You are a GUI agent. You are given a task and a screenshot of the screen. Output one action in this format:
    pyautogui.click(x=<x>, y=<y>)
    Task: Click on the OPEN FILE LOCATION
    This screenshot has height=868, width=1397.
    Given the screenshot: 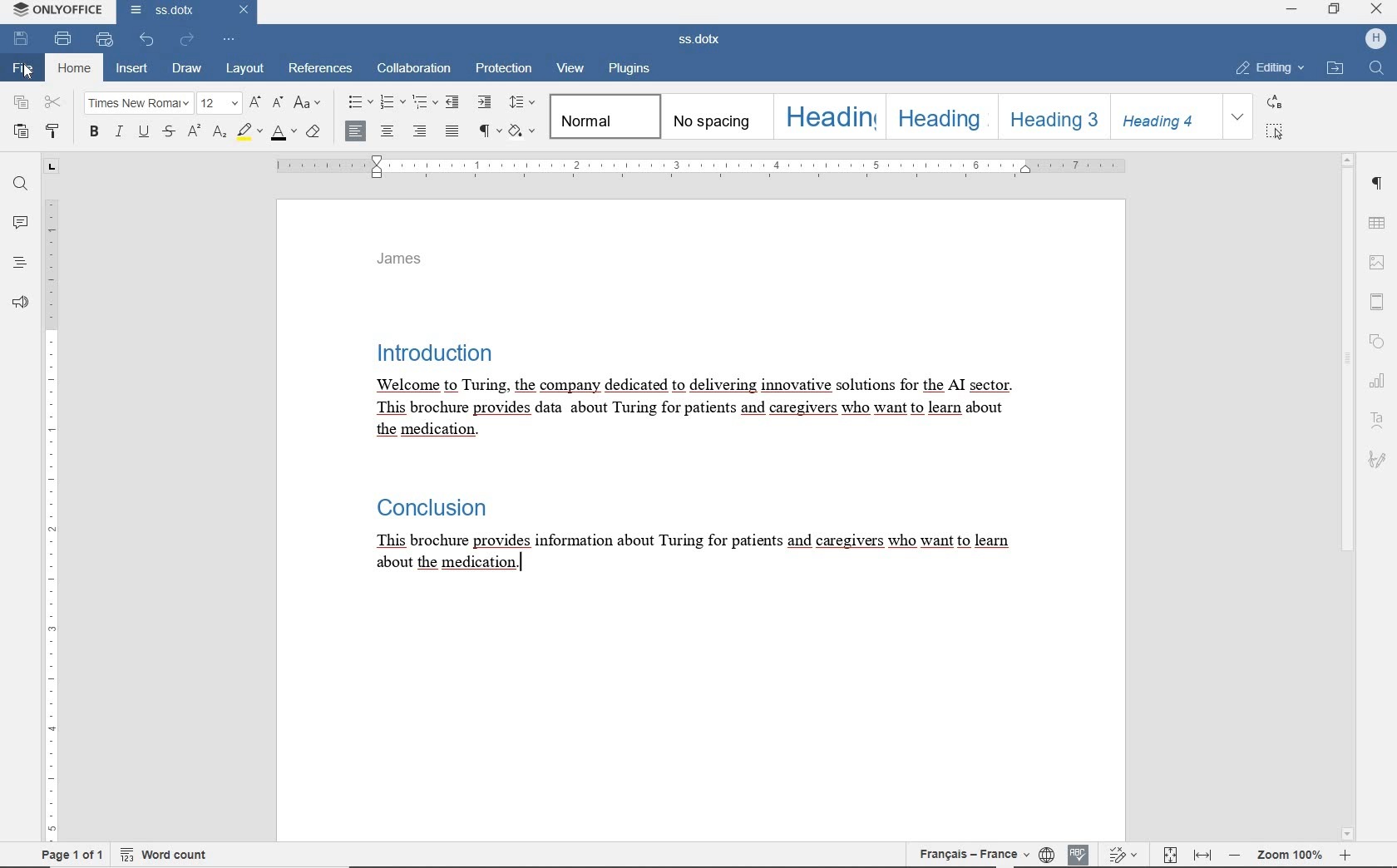 What is the action you would take?
    pyautogui.click(x=1335, y=67)
    